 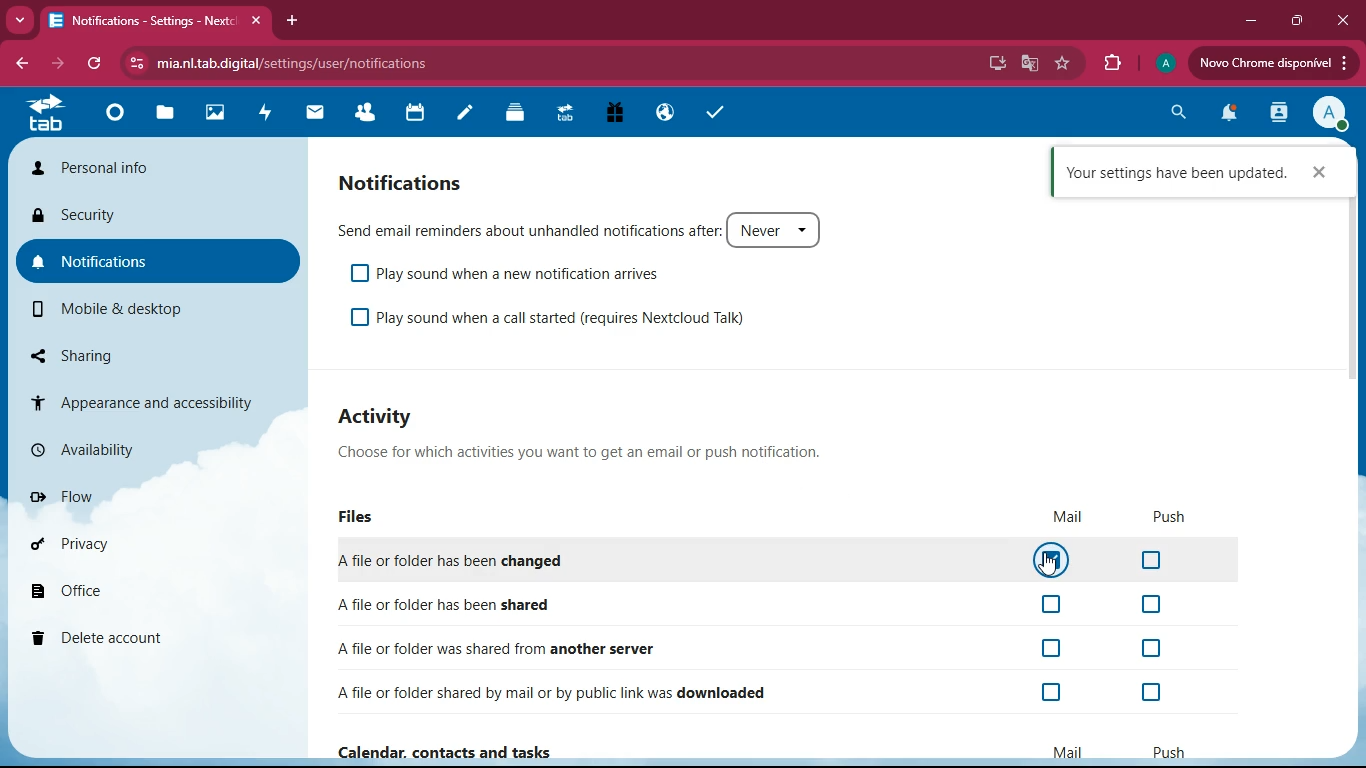 I want to click on favorites, so click(x=1065, y=65).